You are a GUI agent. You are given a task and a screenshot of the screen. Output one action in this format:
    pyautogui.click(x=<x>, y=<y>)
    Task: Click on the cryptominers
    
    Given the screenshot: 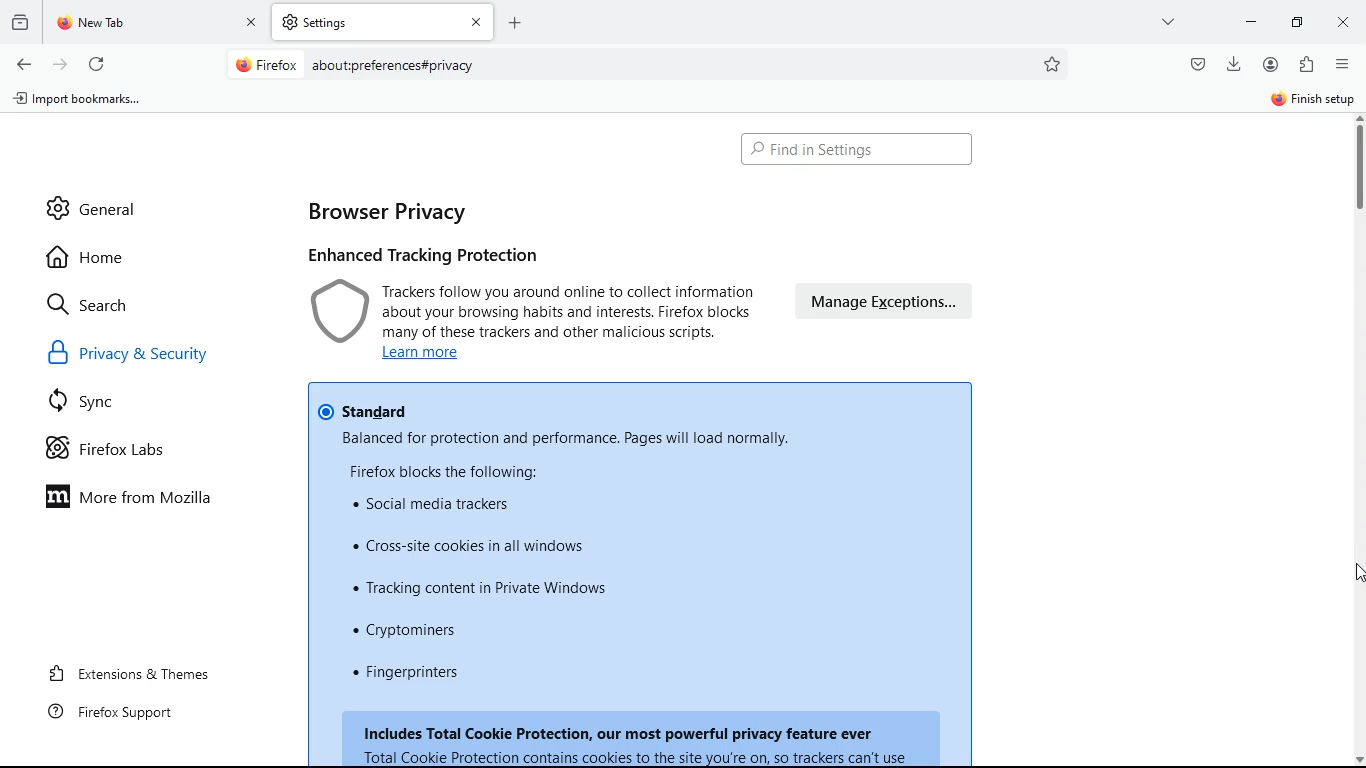 What is the action you would take?
    pyautogui.click(x=414, y=631)
    